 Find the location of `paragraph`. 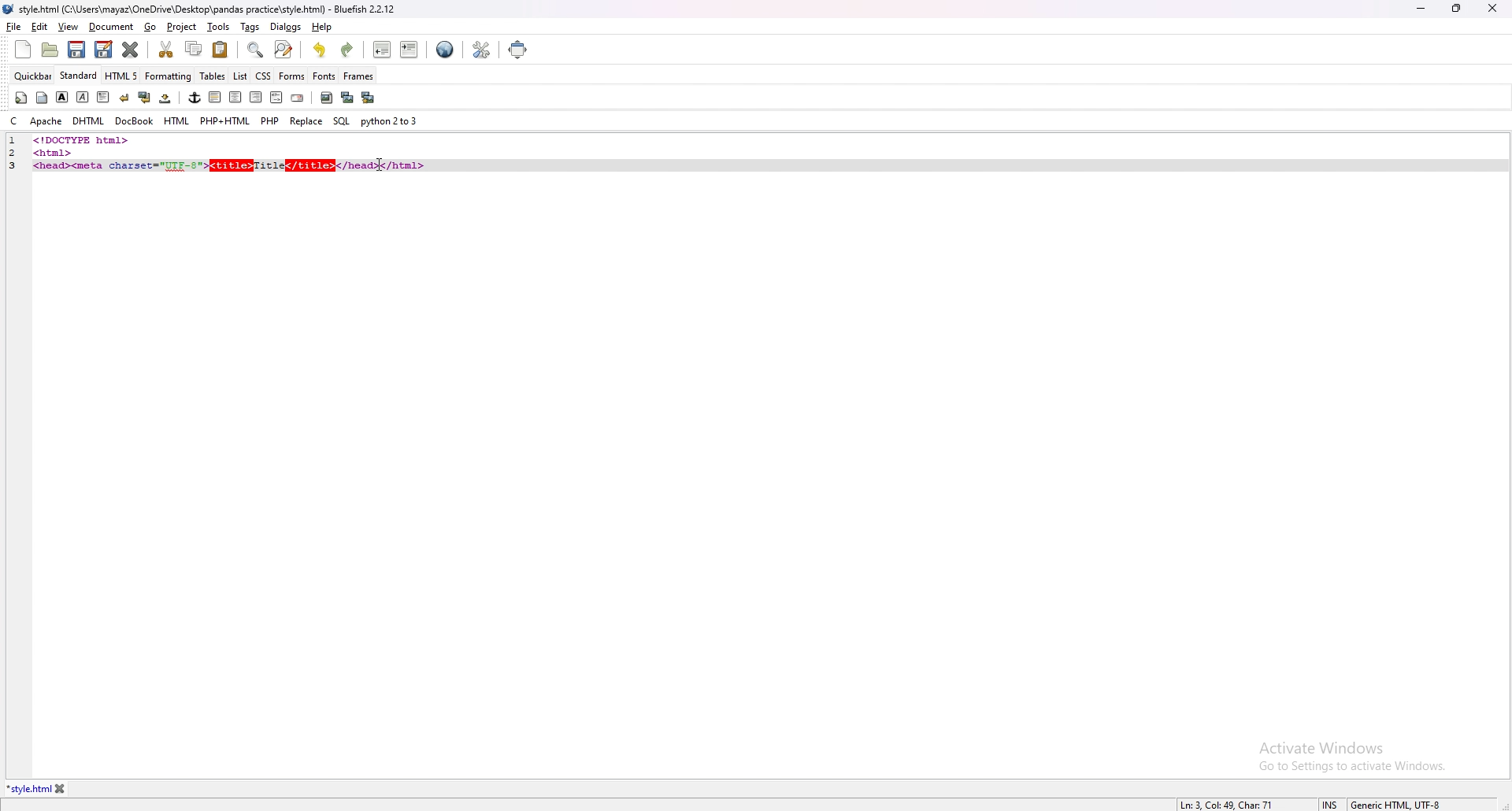

paragraph is located at coordinates (102, 96).